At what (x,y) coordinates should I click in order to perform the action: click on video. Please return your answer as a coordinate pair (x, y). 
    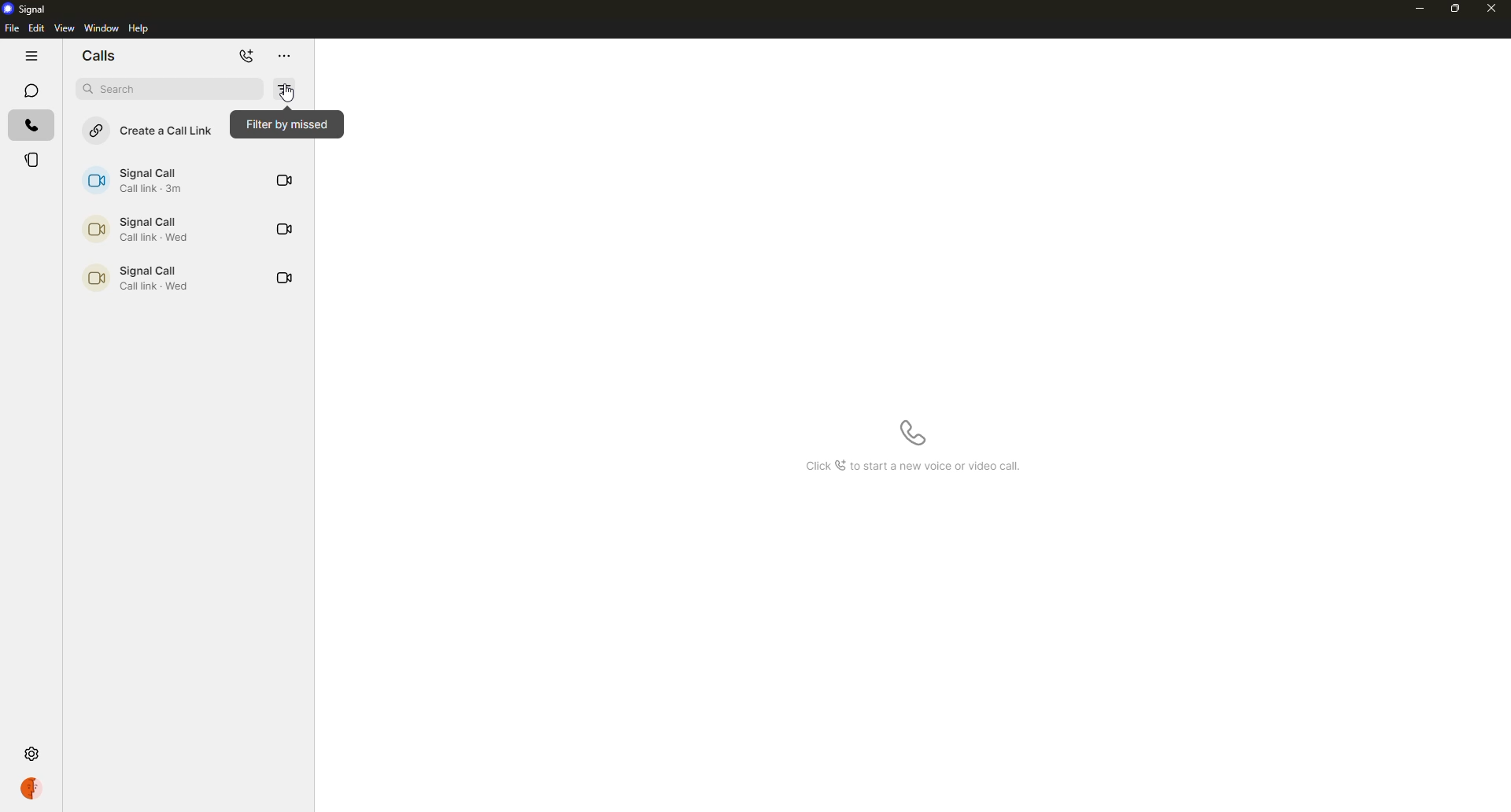
    Looking at the image, I should click on (286, 277).